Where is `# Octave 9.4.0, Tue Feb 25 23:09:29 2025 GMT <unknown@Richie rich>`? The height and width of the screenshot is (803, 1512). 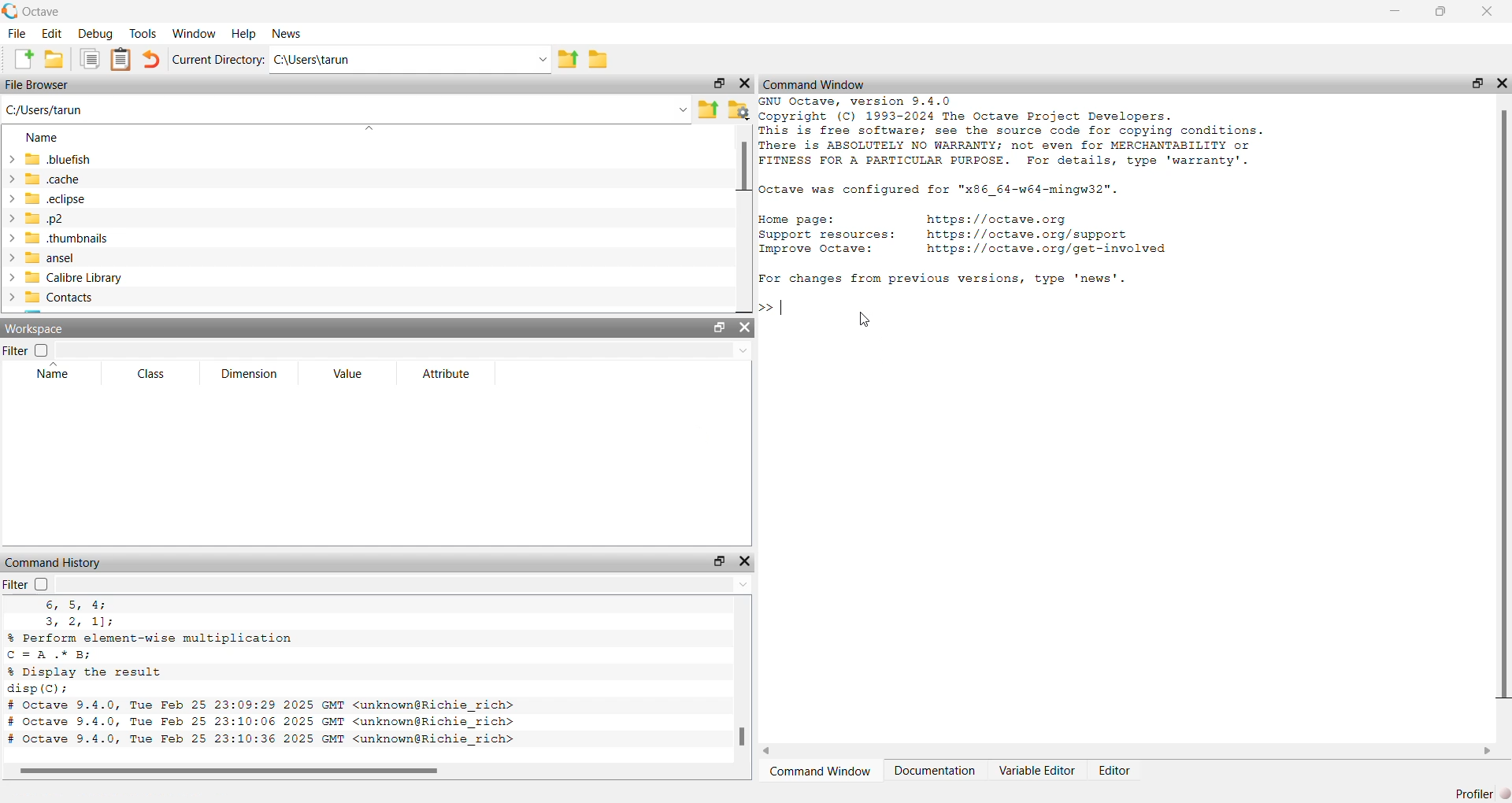 # Octave 9.4.0, Tue Feb 25 23:09:29 2025 GMT <unknown@Richie rich> is located at coordinates (263, 706).